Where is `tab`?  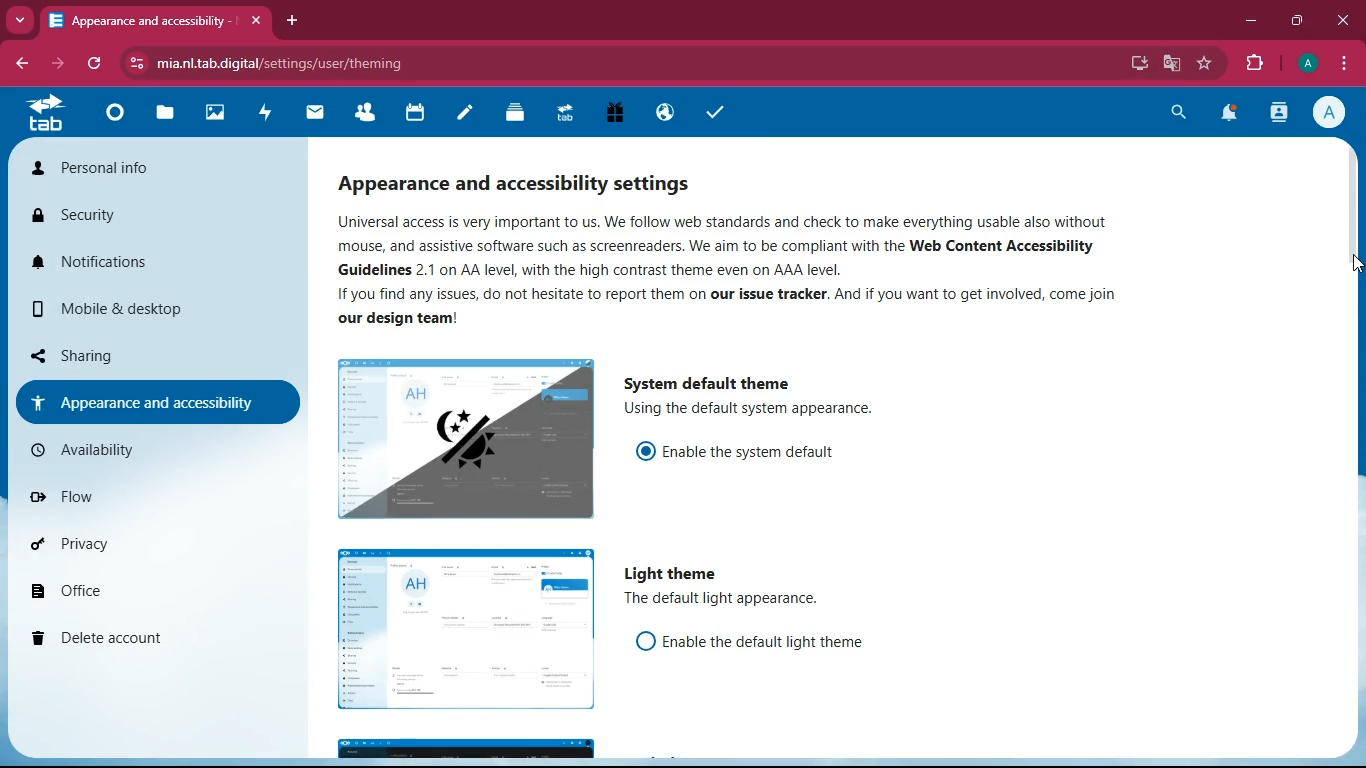
tab is located at coordinates (563, 113).